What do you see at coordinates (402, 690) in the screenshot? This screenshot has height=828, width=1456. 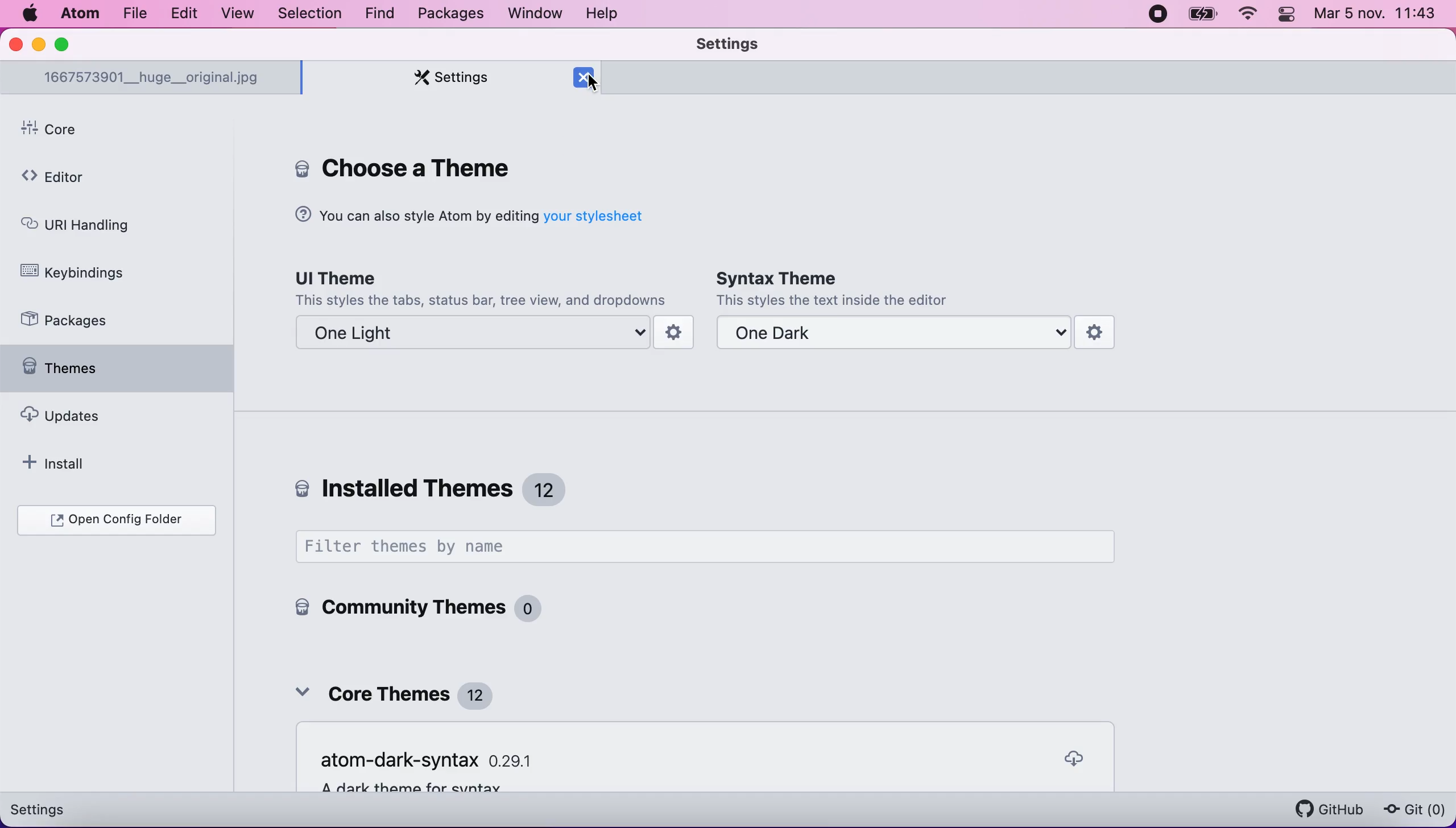 I see `core themes` at bounding box center [402, 690].